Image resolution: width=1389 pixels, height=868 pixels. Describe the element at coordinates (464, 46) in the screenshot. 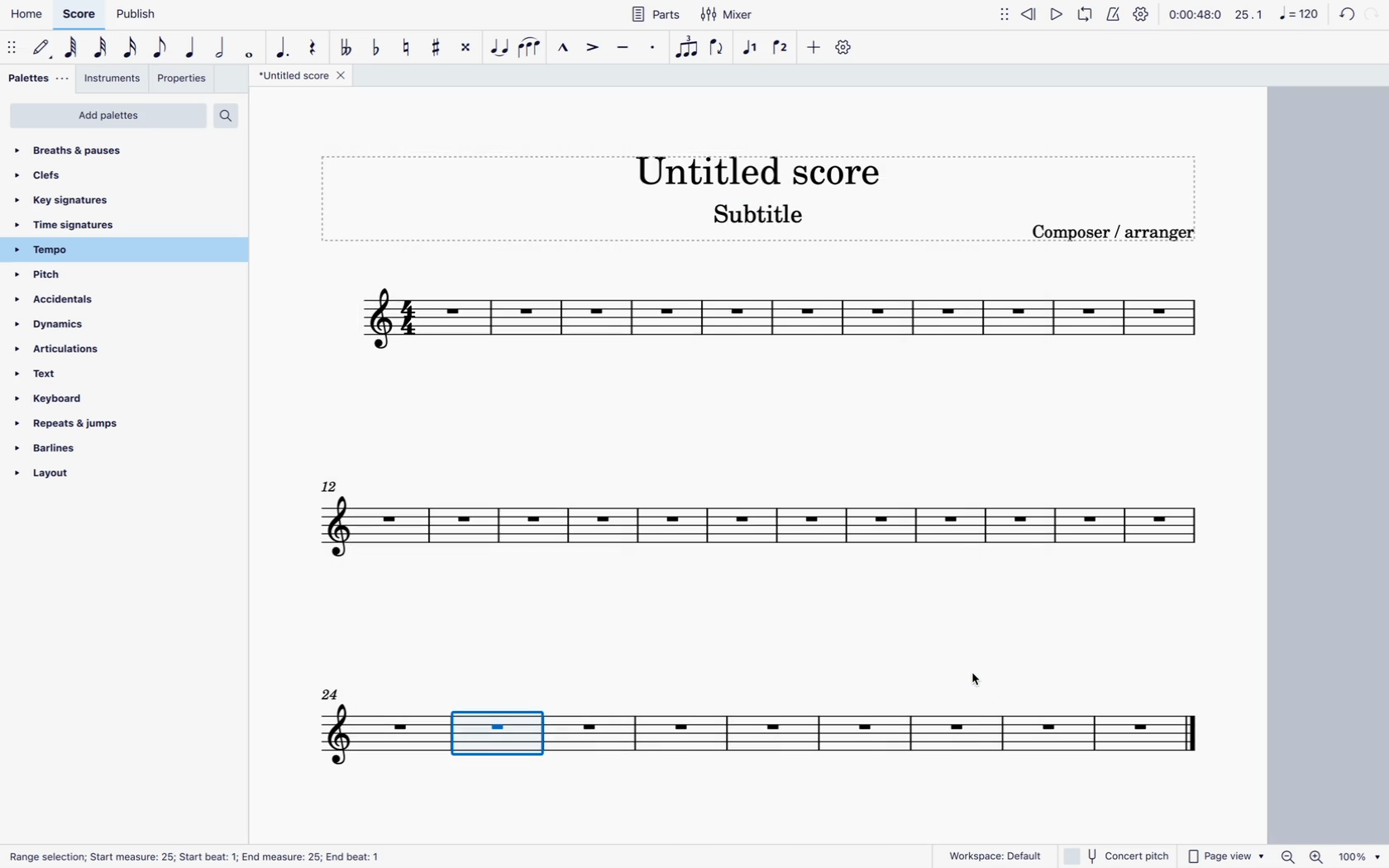

I see `toggle double sharp` at that location.